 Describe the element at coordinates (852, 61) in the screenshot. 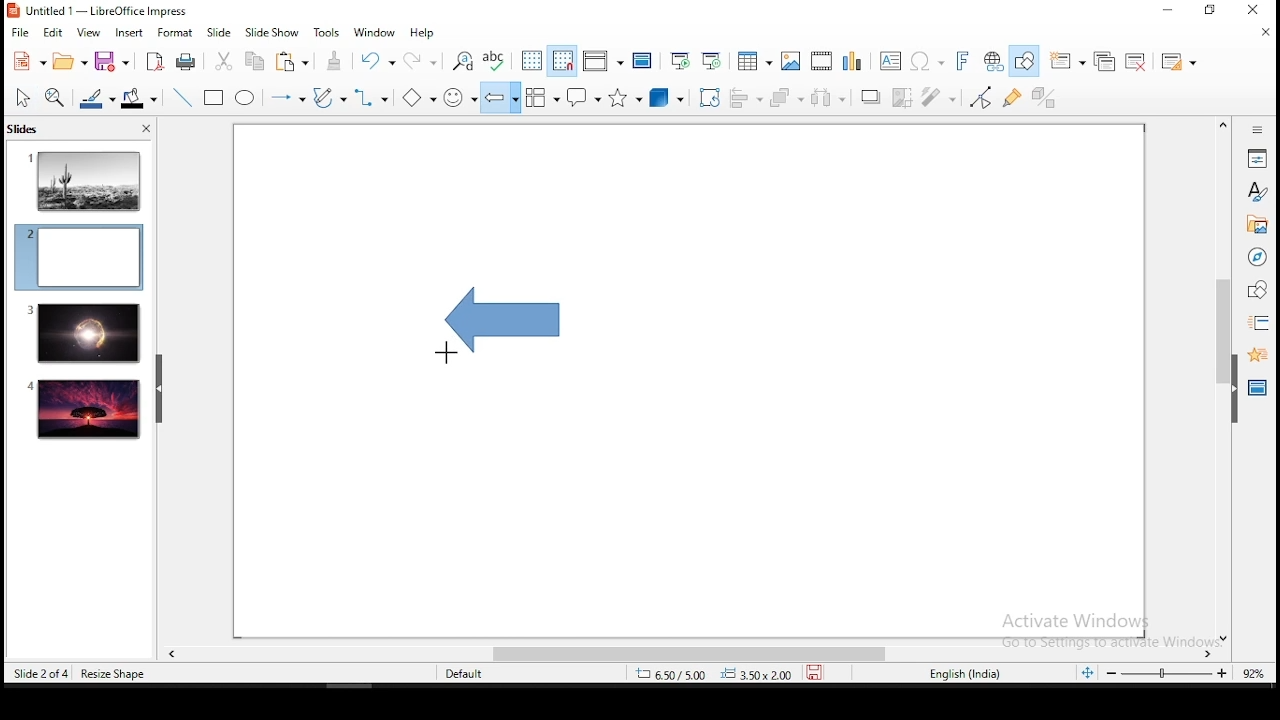

I see `charts` at that location.